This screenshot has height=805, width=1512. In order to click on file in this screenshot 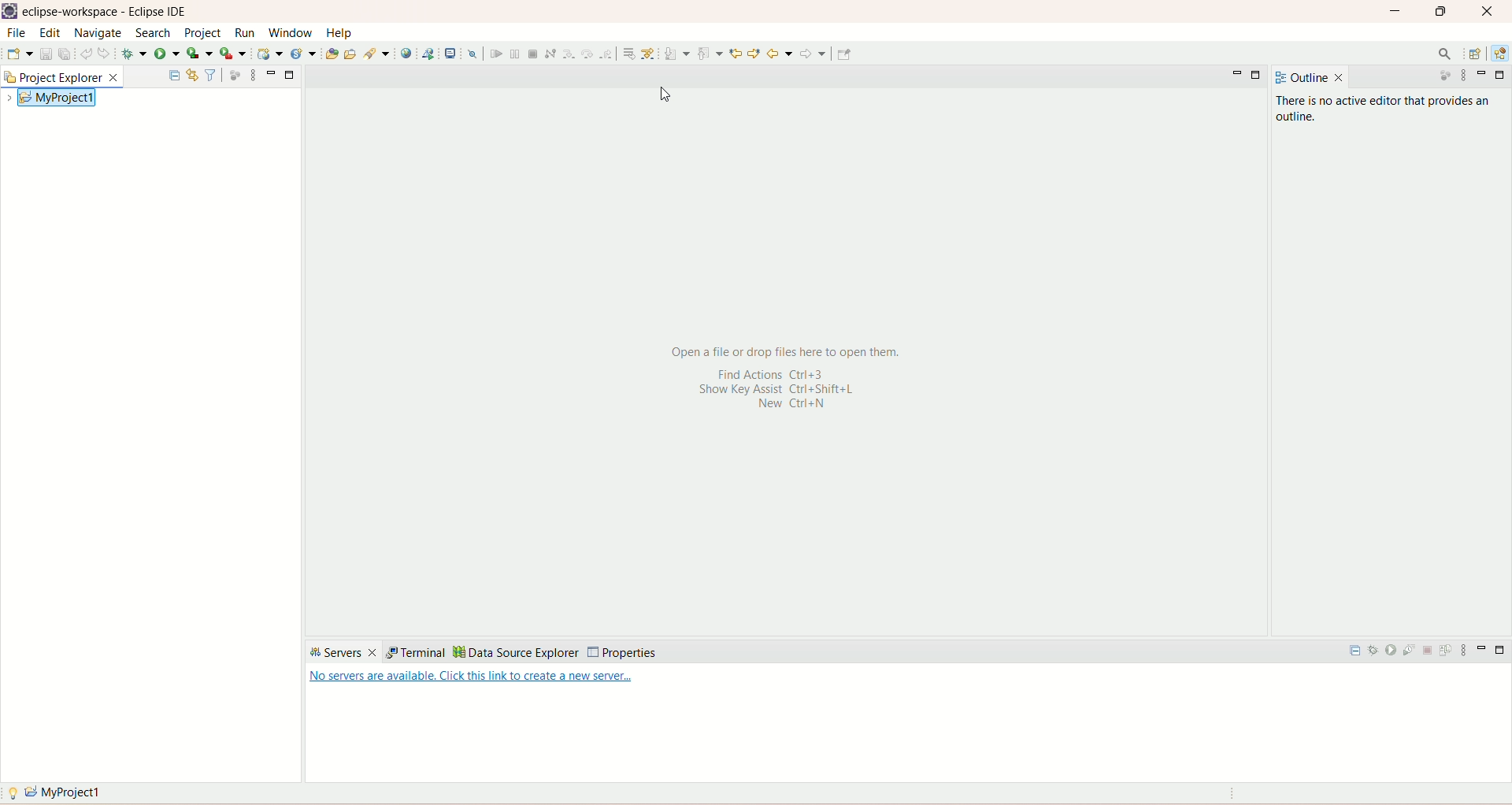, I will do `click(15, 34)`.